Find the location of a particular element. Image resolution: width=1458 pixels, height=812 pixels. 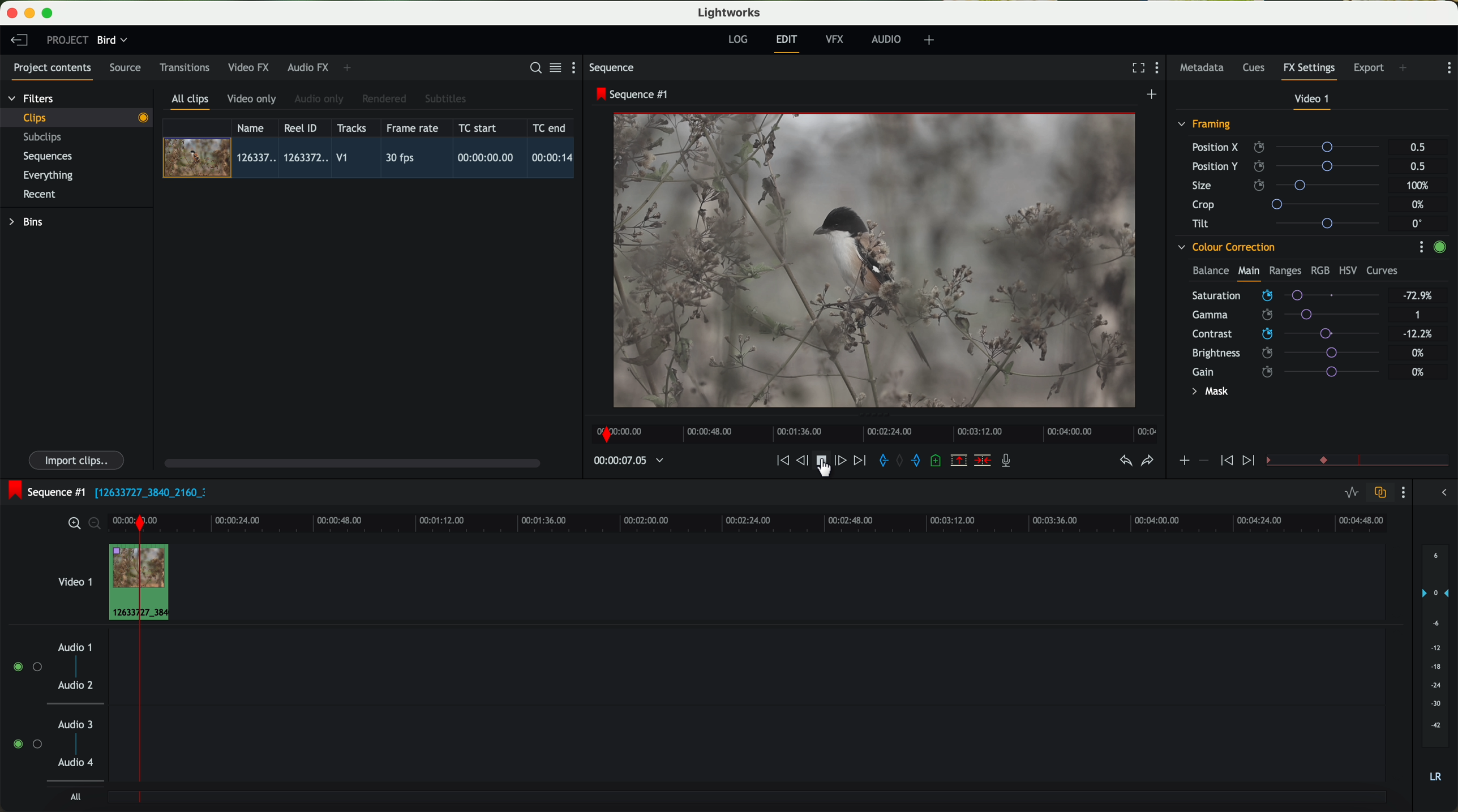

gain is located at coordinates (1293, 371).